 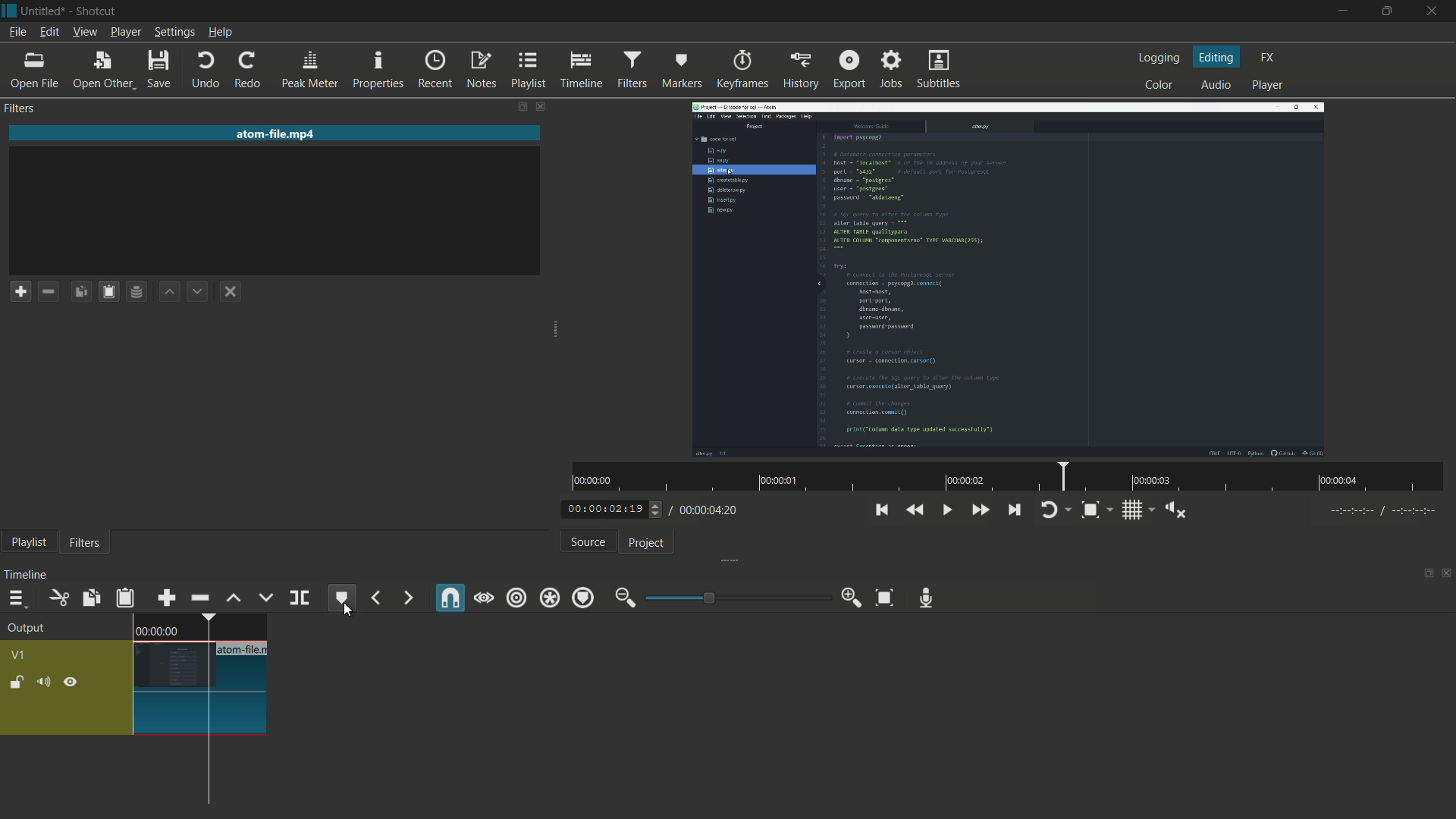 What do you see at coordinates (882, 511) in the screenshot?
I see `skip to the previous point` at bounding box center [882, 511].